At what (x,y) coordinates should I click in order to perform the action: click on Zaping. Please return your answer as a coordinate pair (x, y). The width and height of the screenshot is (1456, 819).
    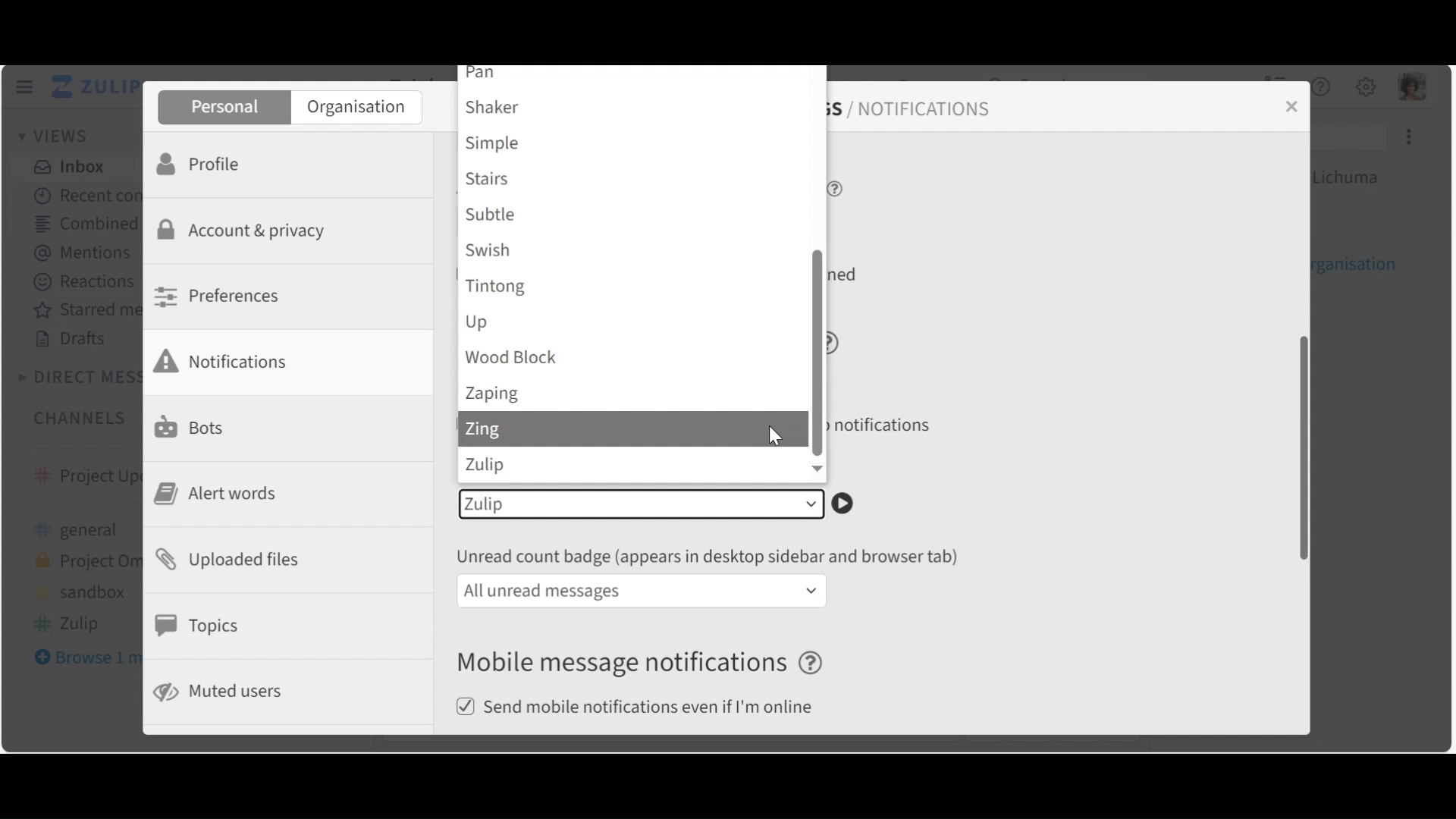
    Looking at the image, I should click on (634, 396).